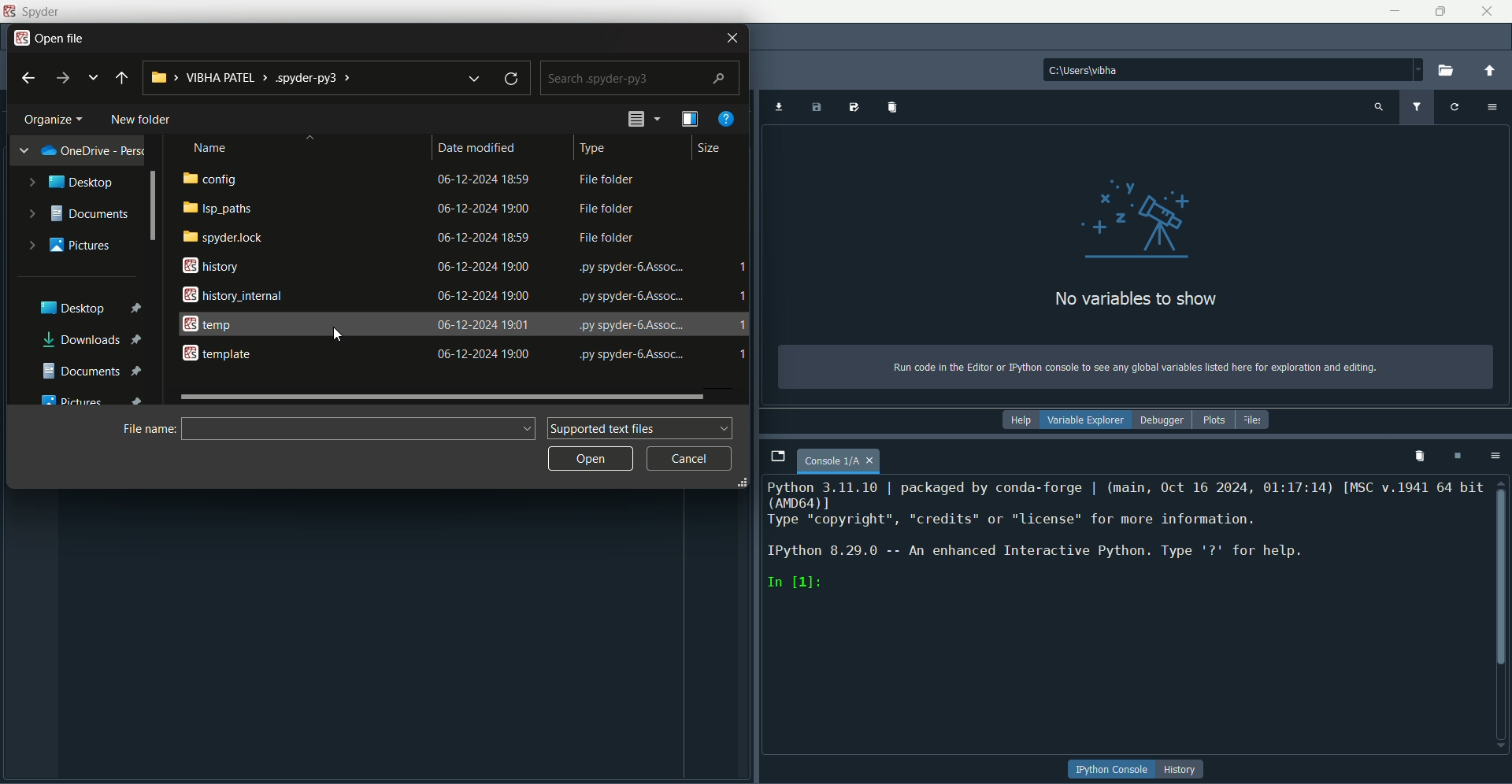  Describe the element at coordinates (778, 456) in the screenshot. I see `browse tabs` at that location.